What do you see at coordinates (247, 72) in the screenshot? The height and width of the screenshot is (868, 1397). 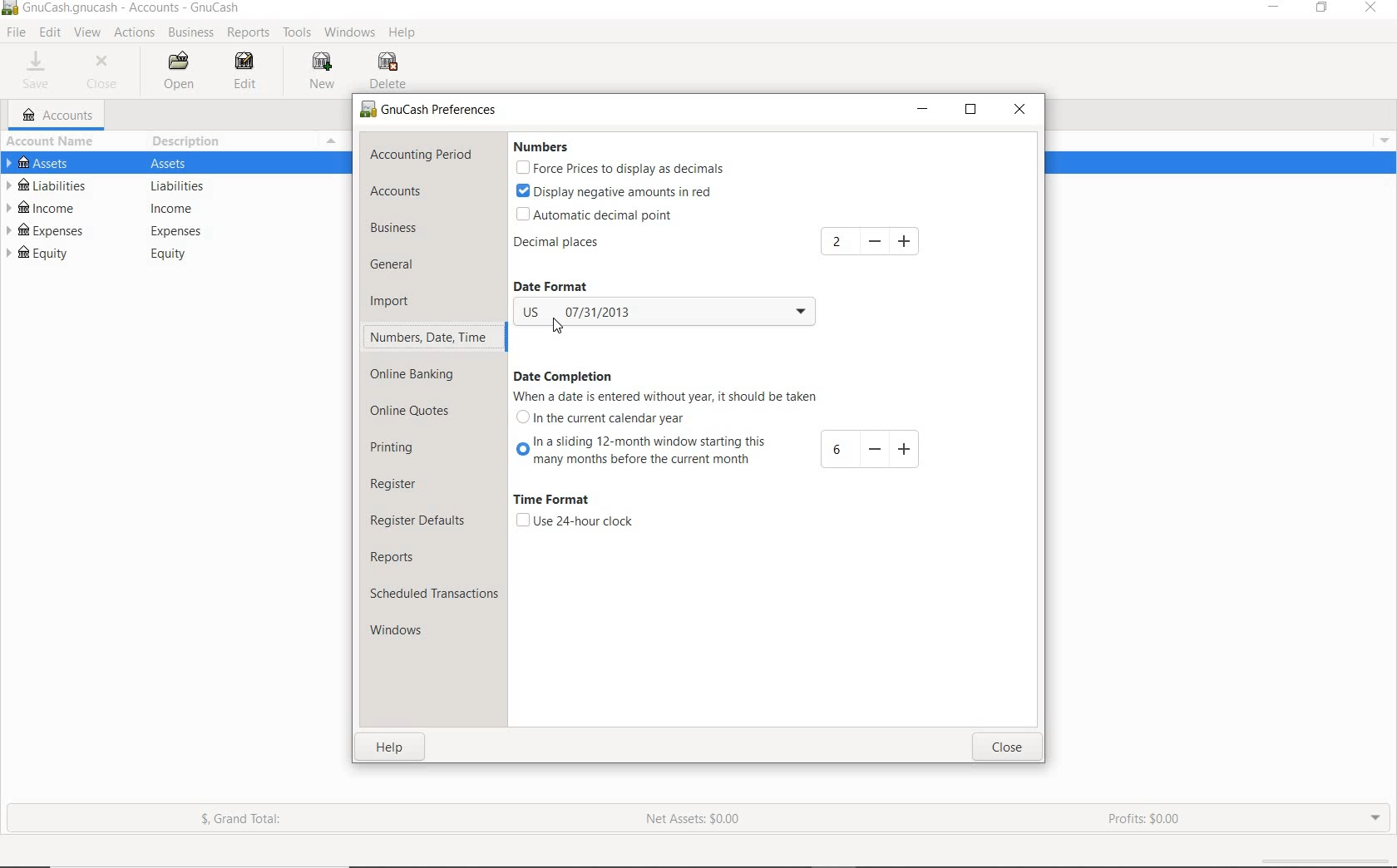 I see `EDIT` at bounding box center [247, 72].